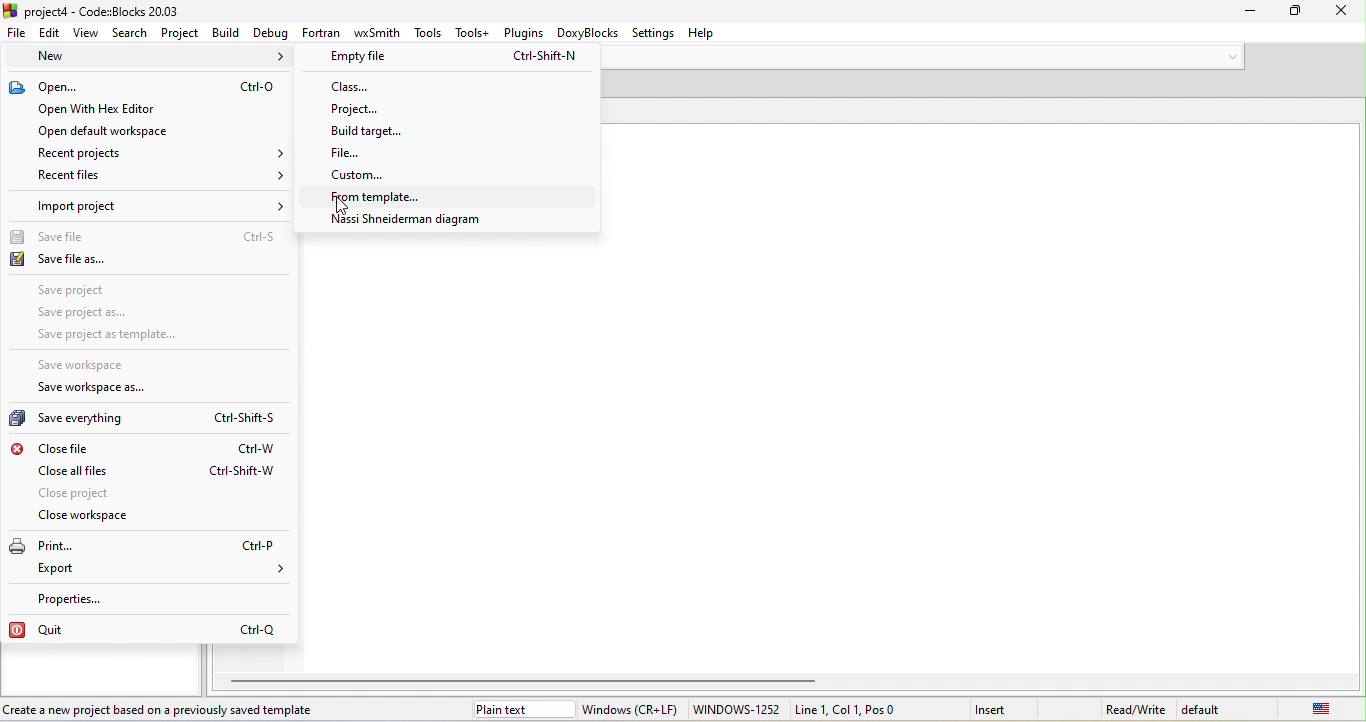  What do you see at coordinates (228, 32) in the screenshot?
I see `build` at bounding box center [228, 32].